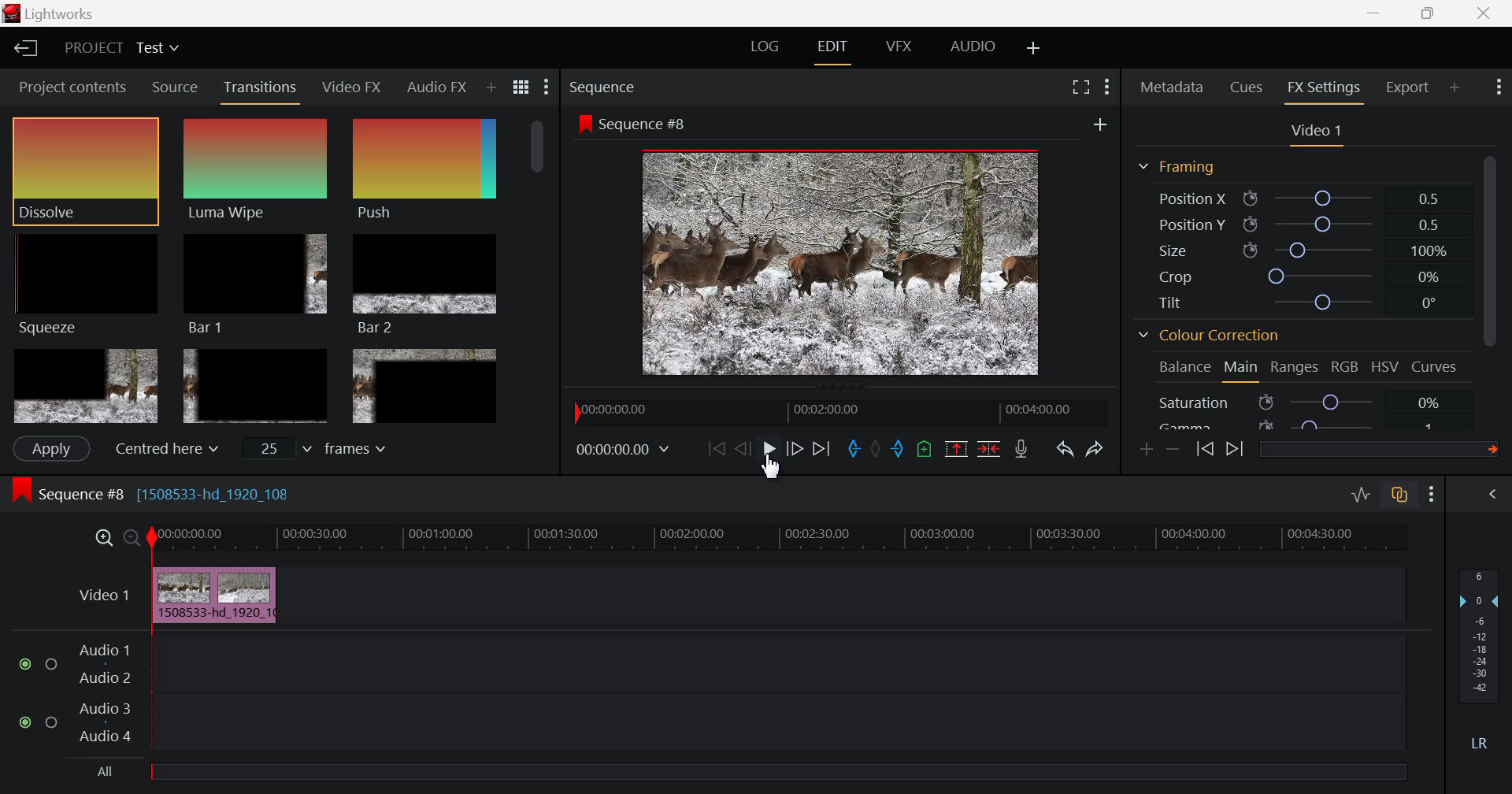 This screenshot has width=1512, height=794. What do you see at coordinates (624, 450) in the screenshot?
I see `Video Frame Time` at bounding box center [624, 450].